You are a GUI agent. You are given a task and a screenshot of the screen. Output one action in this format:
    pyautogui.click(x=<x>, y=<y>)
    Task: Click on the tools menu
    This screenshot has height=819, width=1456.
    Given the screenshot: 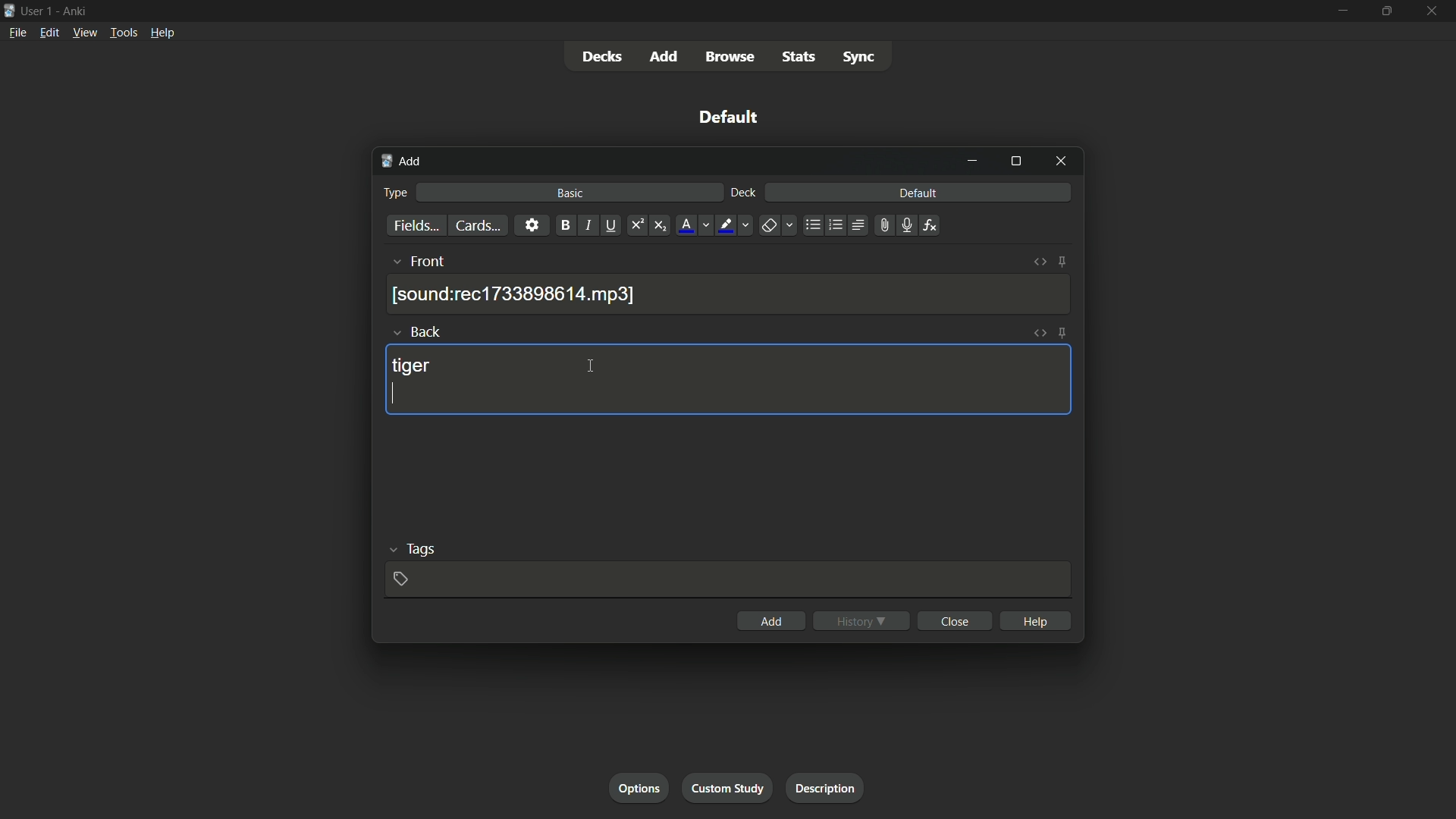 What is the action you would take?
    pyautogui.click(x=124, y=33)
    